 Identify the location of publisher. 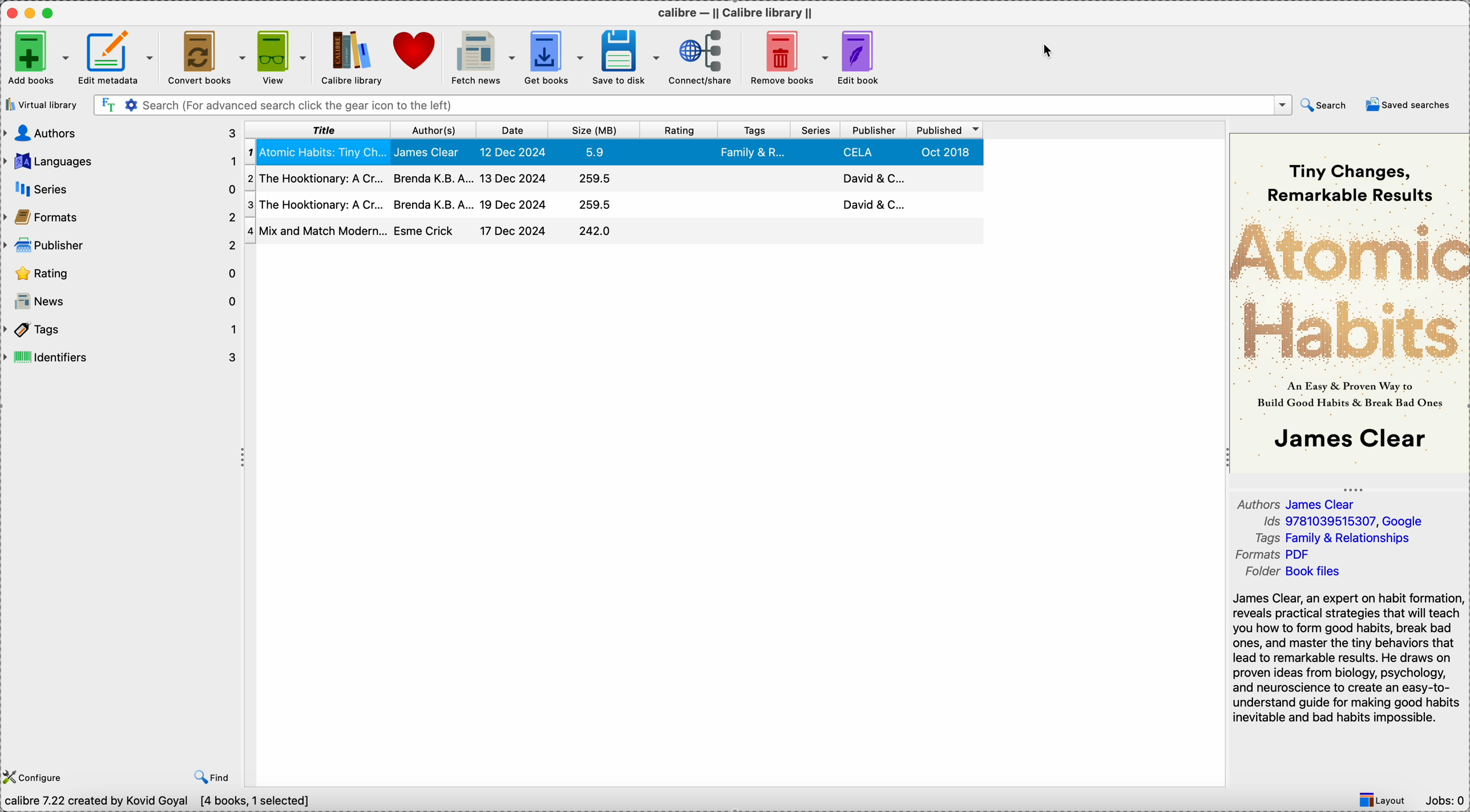
(120, 244).